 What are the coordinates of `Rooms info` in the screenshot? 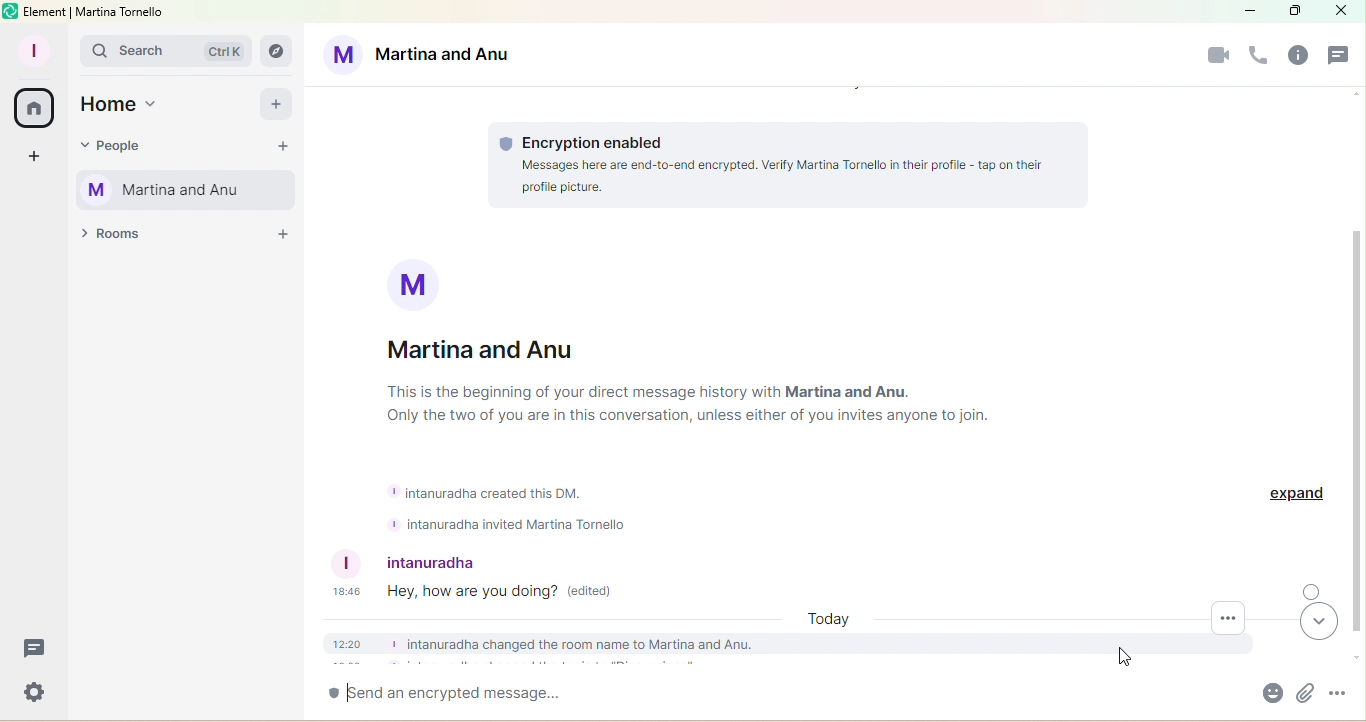 It's located at (1302, 58).